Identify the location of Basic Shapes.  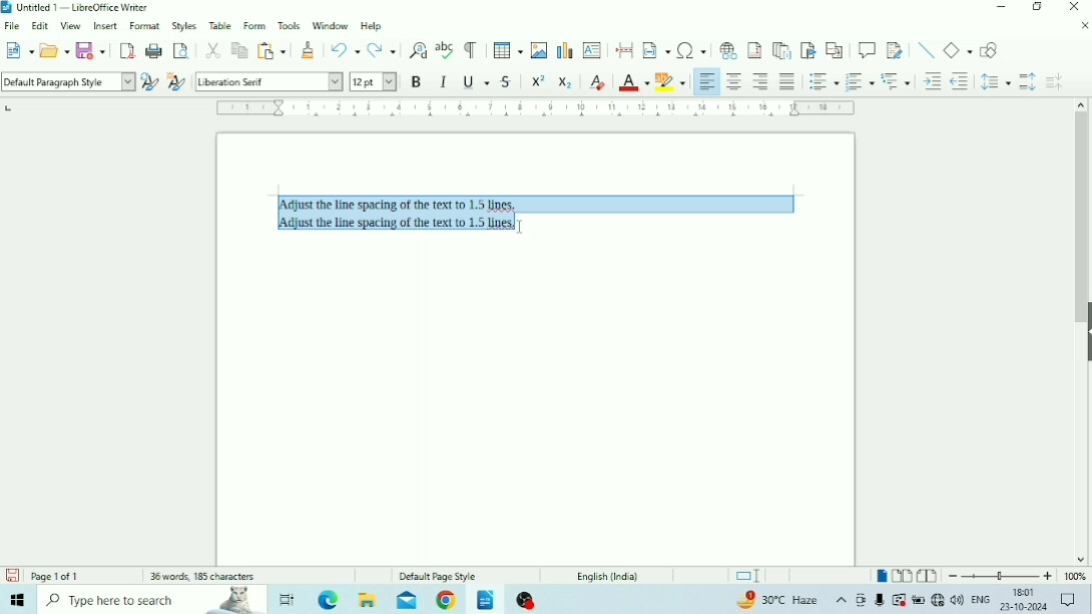
(957, 49).